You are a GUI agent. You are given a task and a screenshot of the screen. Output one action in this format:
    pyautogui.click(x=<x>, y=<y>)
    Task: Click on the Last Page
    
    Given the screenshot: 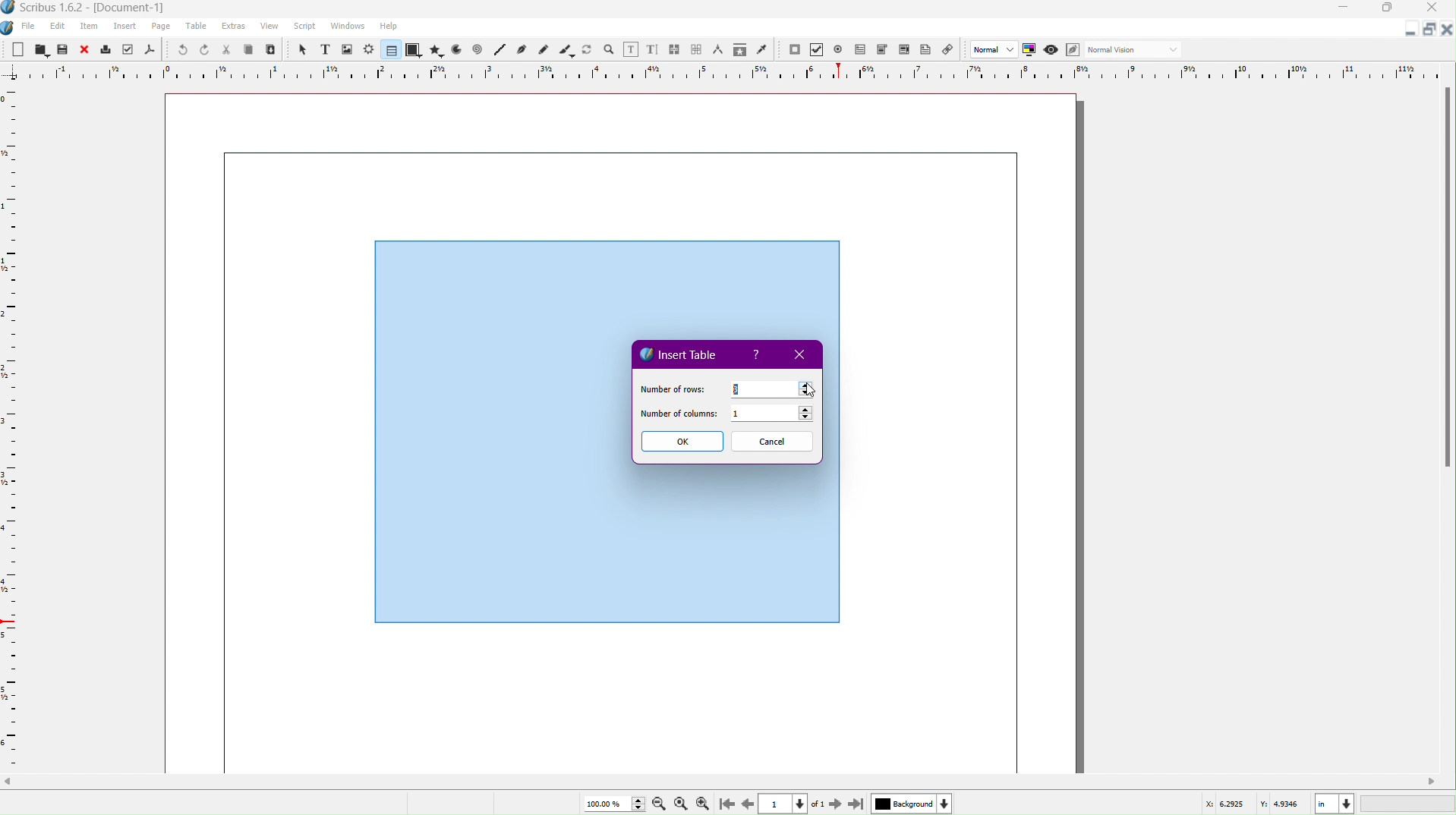 What is the action you would take?
    pyautogui.click(x=857, y=803)
    